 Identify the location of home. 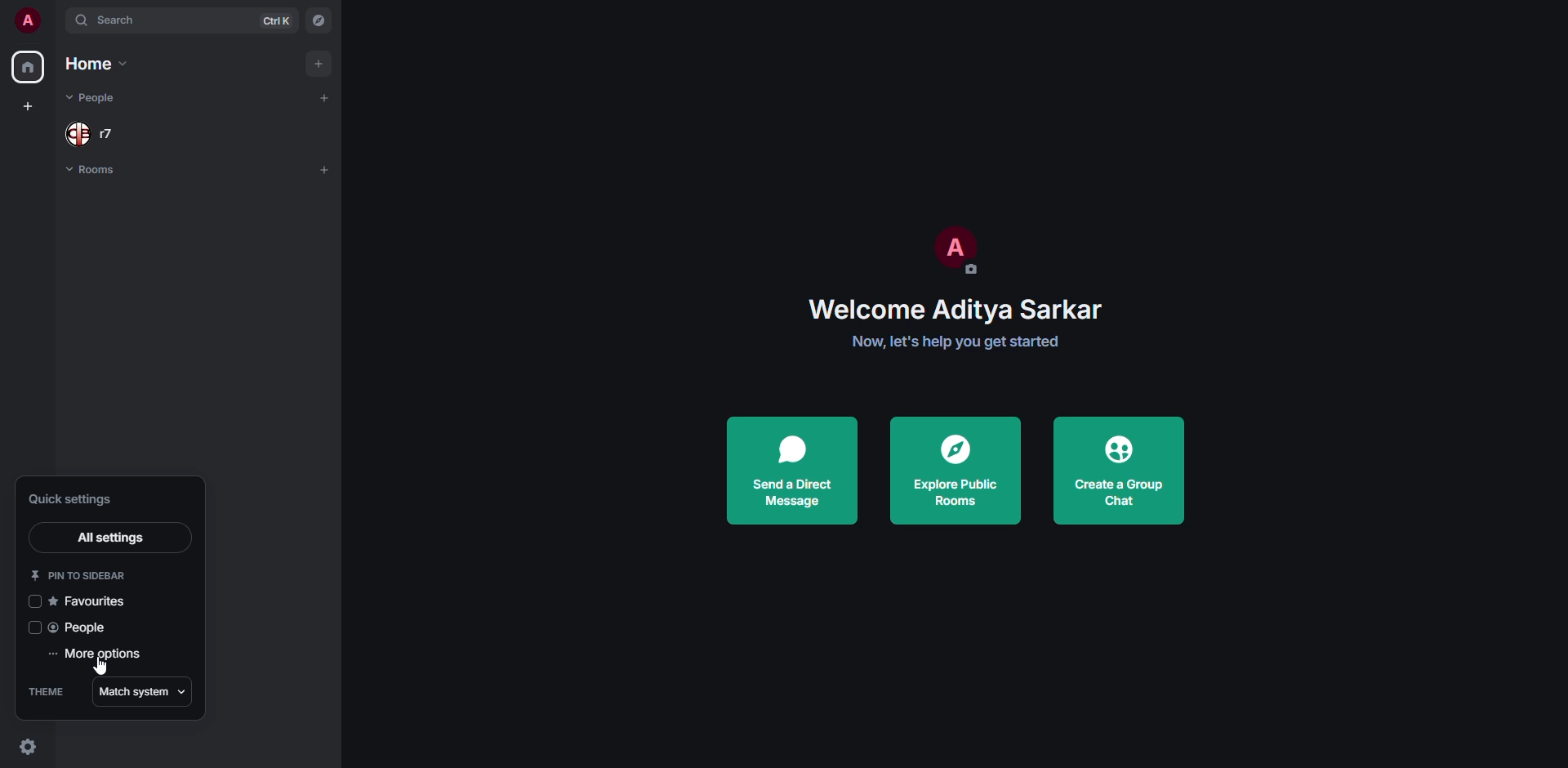
(29, 67).